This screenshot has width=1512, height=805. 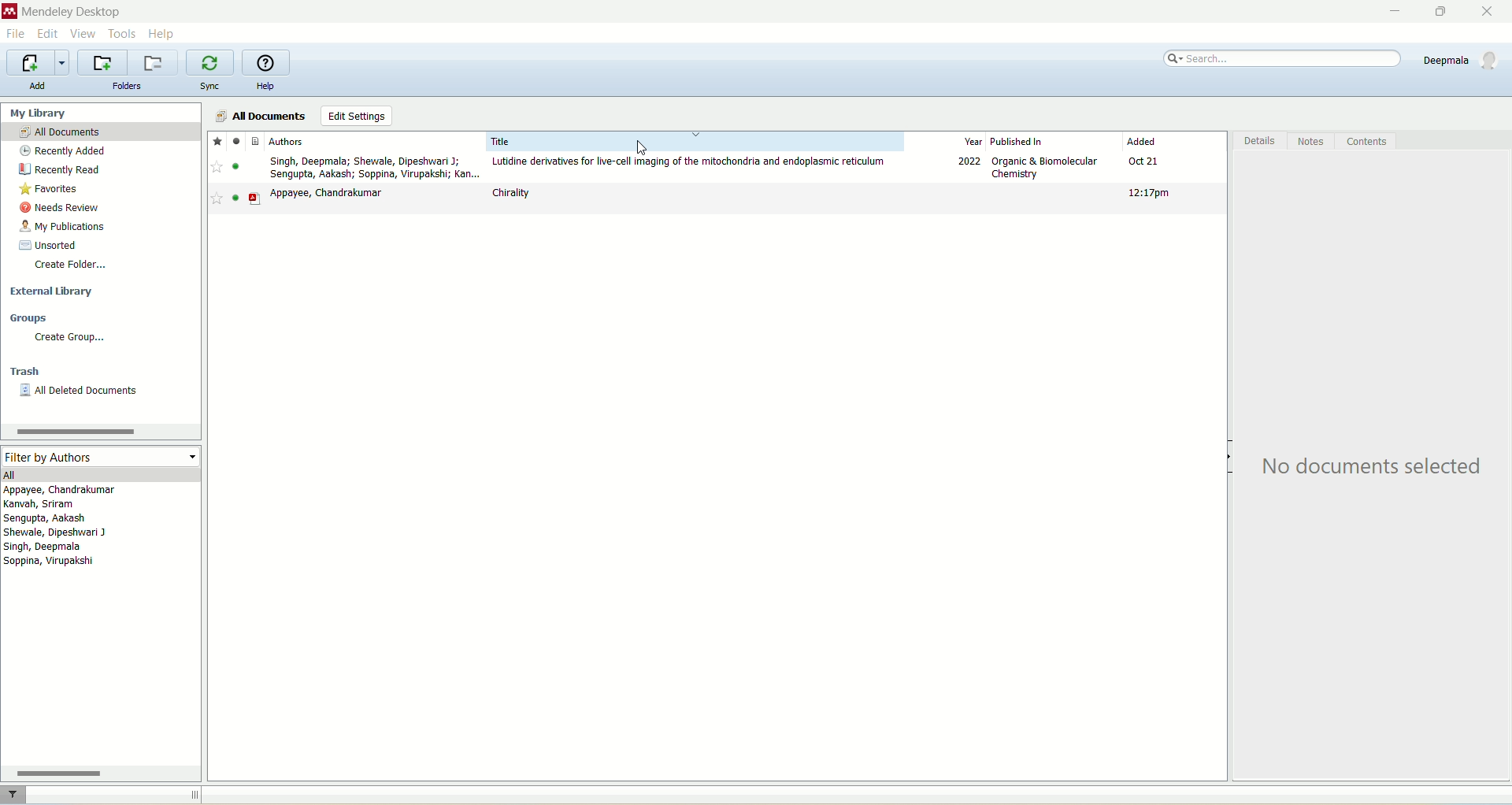 What do you see at coordinates (54, 244) in the screenshot?
I see `unsorted` at bounding box center [54, 244].